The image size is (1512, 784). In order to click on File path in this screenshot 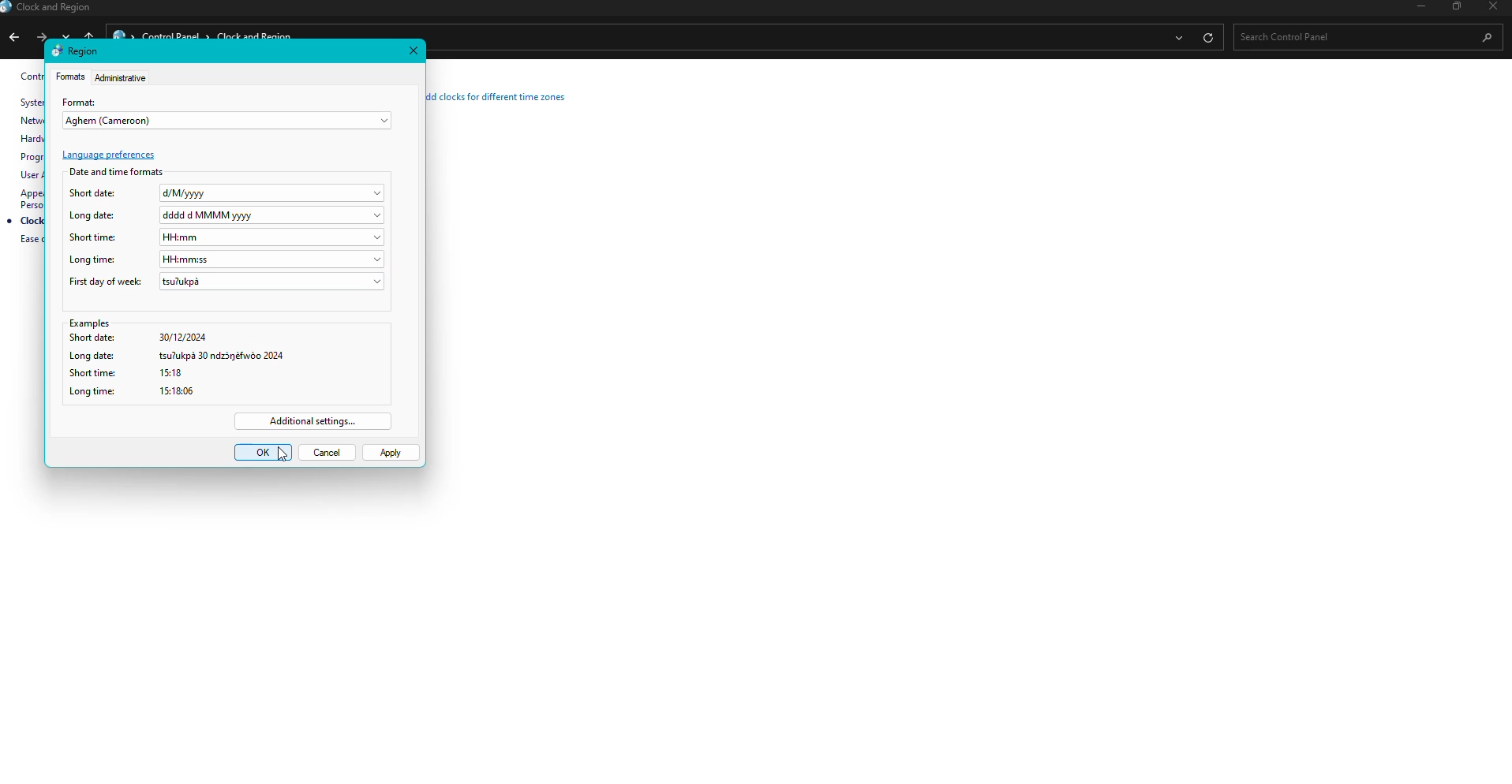, I will do `click(790, 37)`.